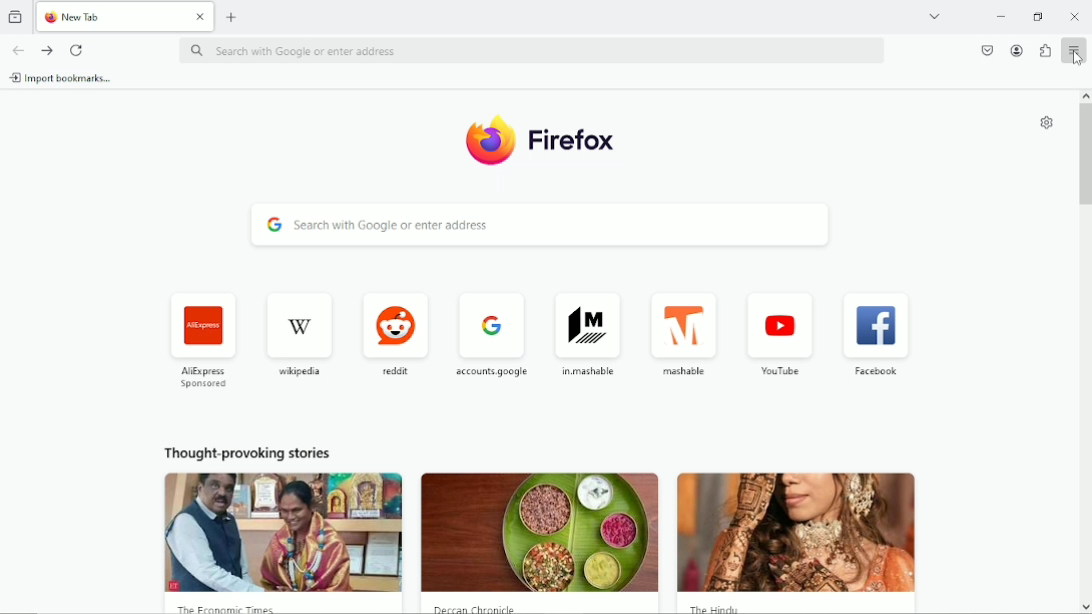  I want to click on List all tabs, so click(934, 15).